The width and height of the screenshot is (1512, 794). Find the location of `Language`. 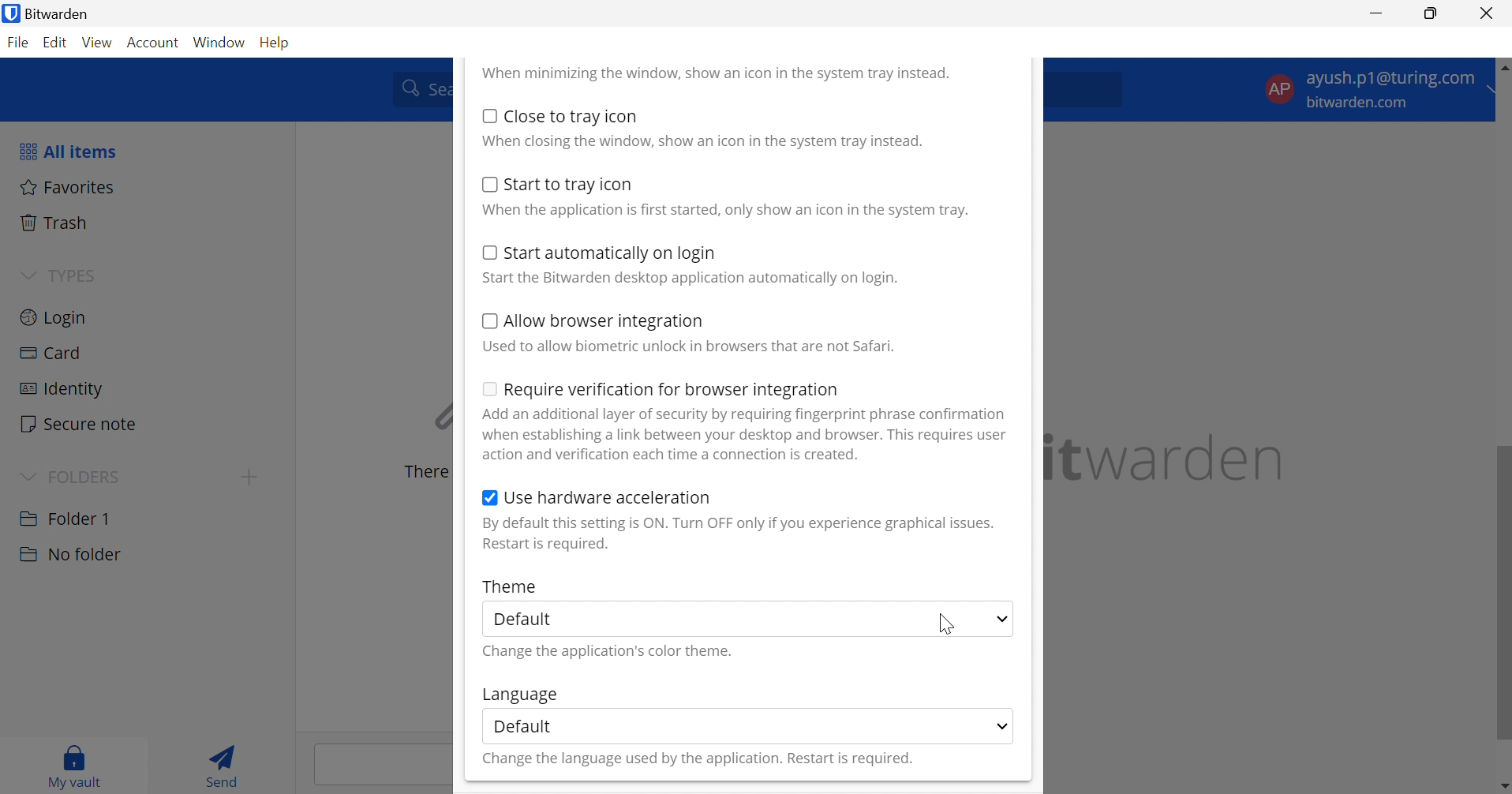

Language is located at coordinates (518, 695).